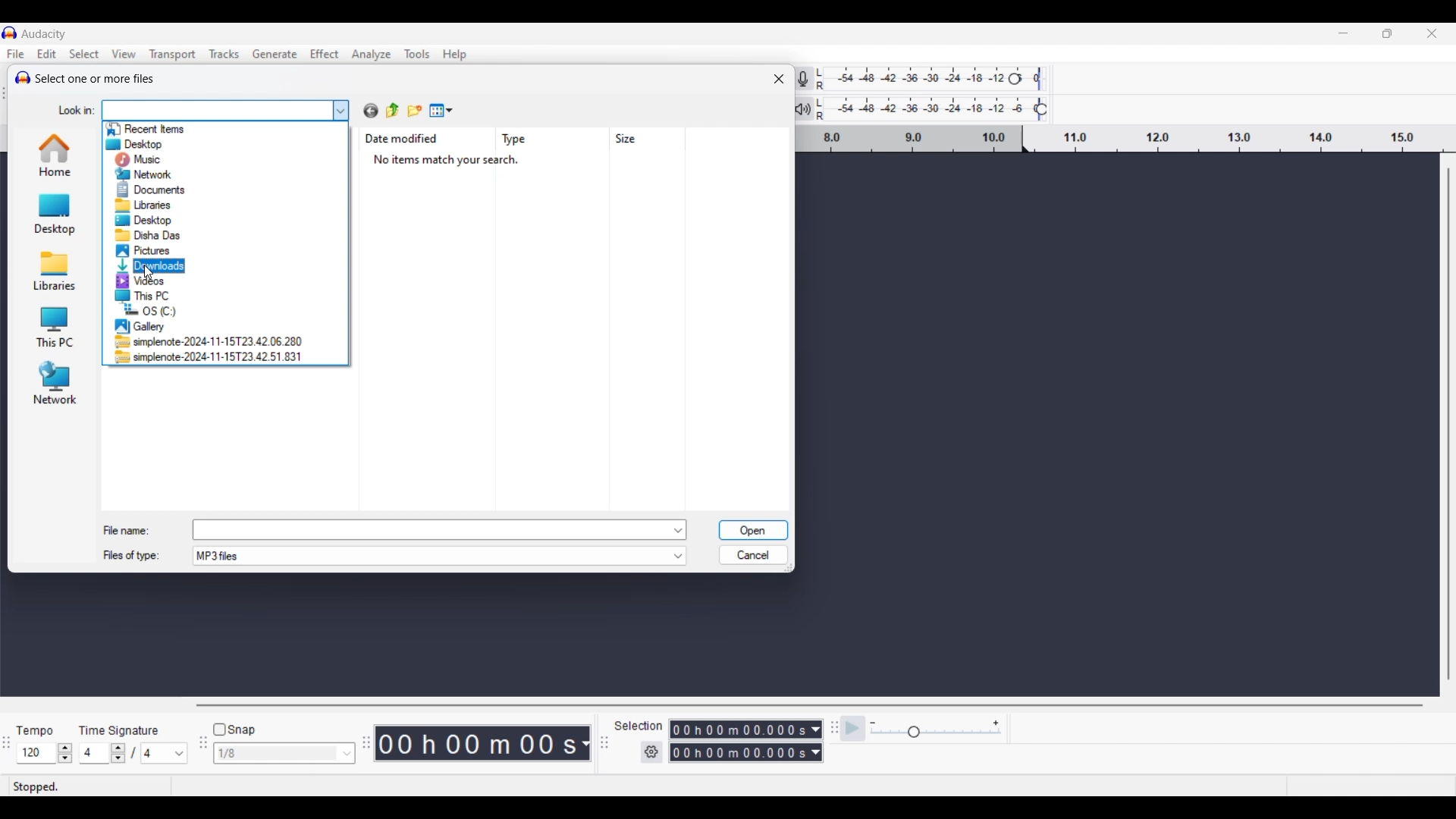  What do you see at coordinates (46, 33) in the screenshot?
I see `Audacity` at bounding box center [46, 33].